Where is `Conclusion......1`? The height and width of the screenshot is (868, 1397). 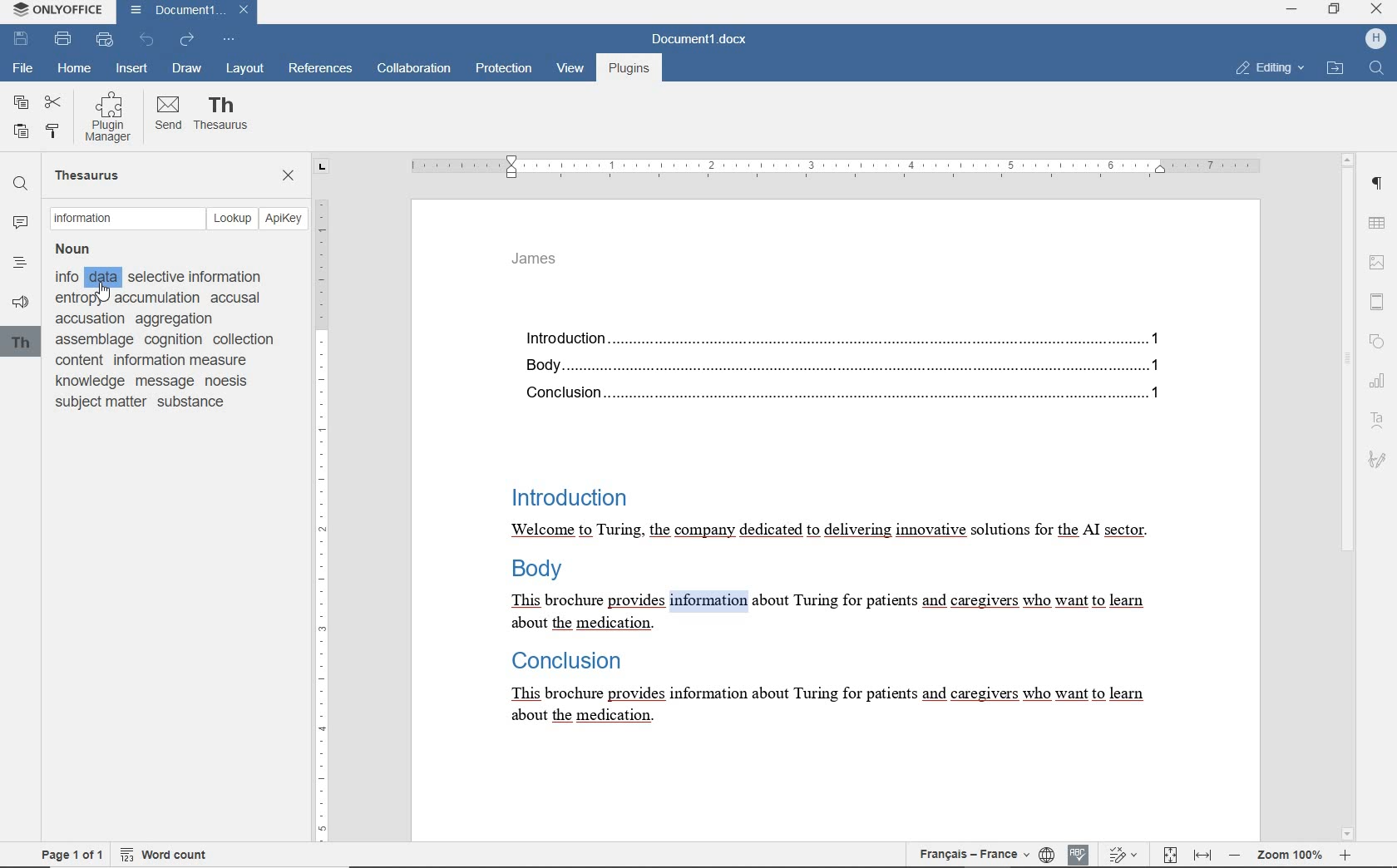 Conclusion......1 is located at coordinates (859, 394).